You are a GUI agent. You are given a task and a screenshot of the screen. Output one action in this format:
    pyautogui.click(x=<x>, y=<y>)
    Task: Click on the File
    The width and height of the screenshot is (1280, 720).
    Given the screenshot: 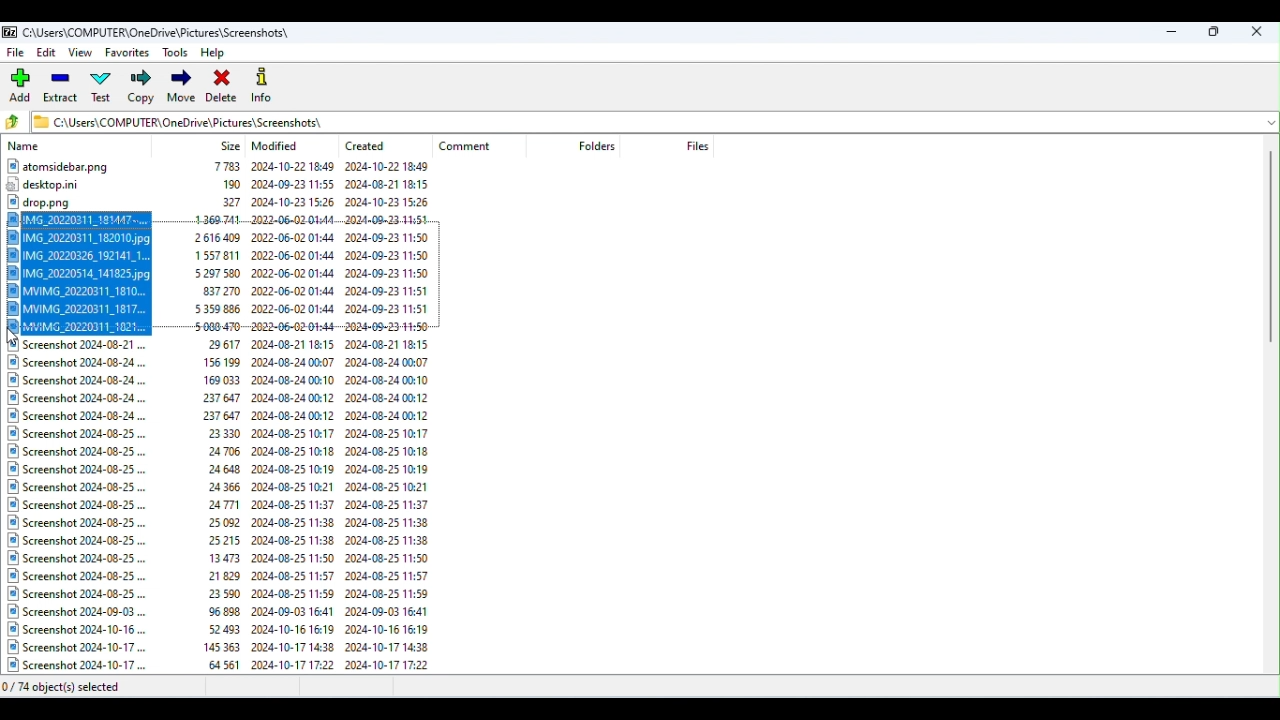 What is the action you would take?
    pyautogui.click(x=17, y=52)
    